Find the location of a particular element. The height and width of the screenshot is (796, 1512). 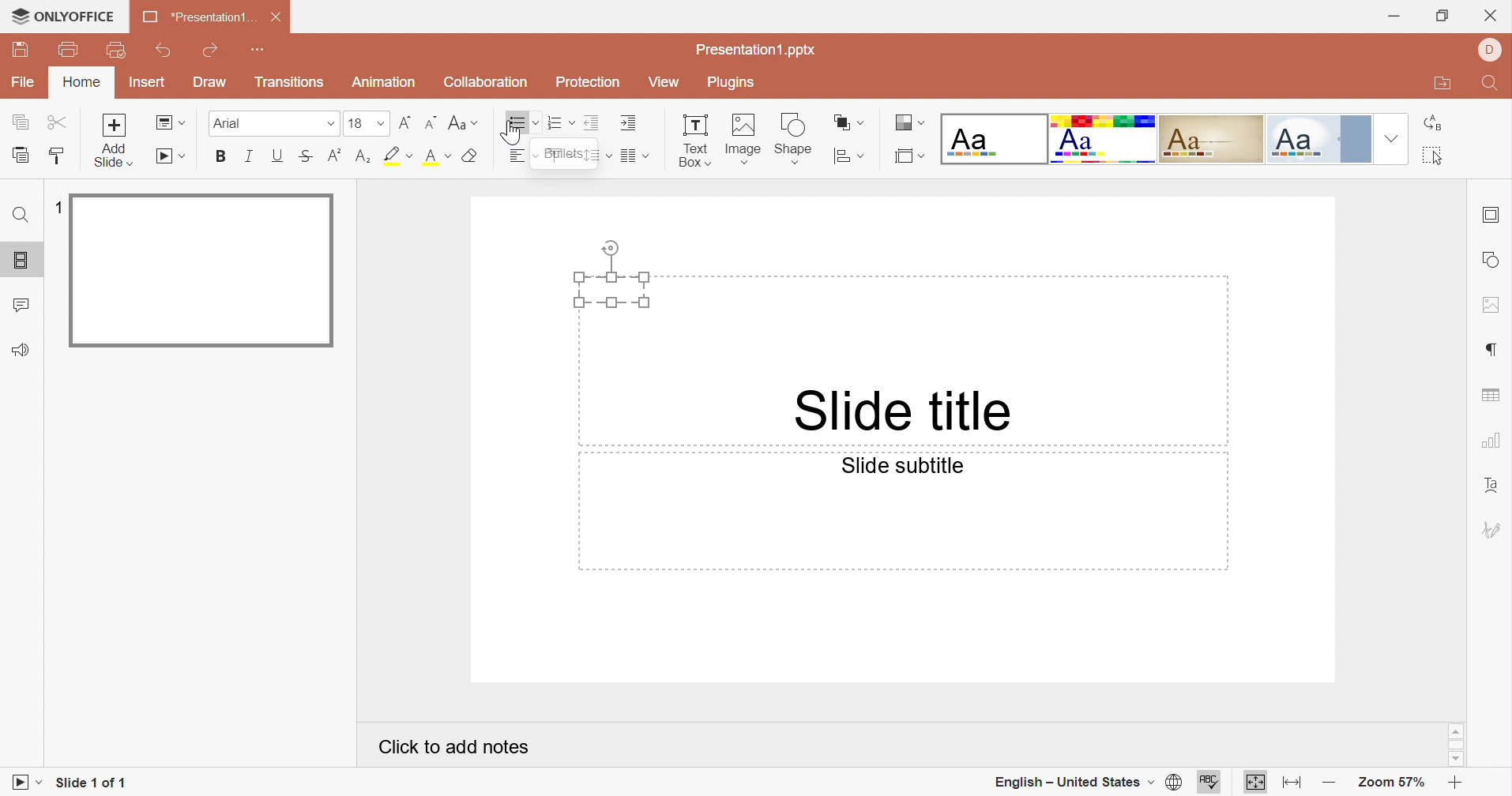

shape settings is located at coordinates (1491, 258).